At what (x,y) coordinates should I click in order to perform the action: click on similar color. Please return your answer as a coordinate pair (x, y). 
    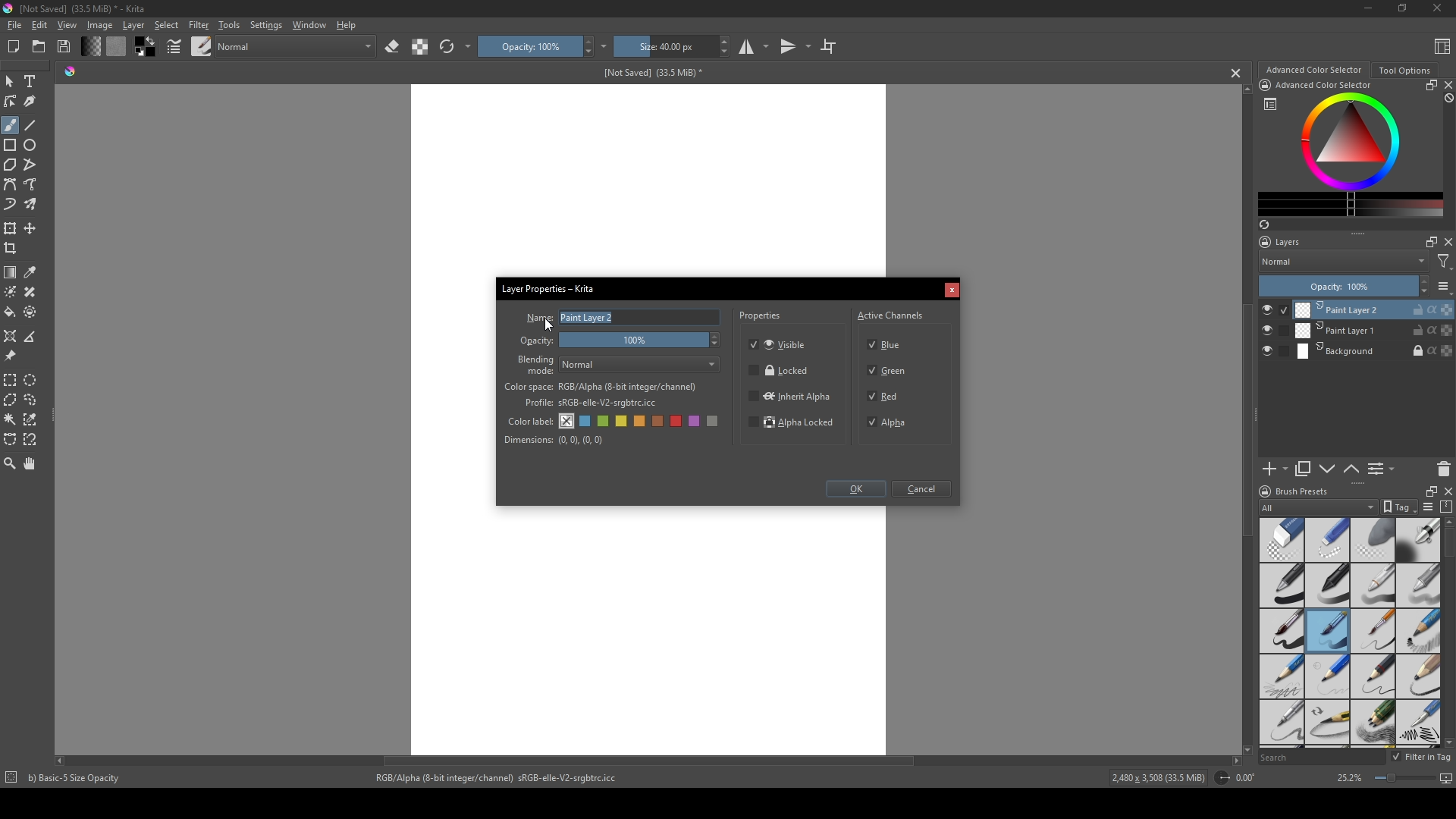
    Looking at the image, I should click on (33, 419).